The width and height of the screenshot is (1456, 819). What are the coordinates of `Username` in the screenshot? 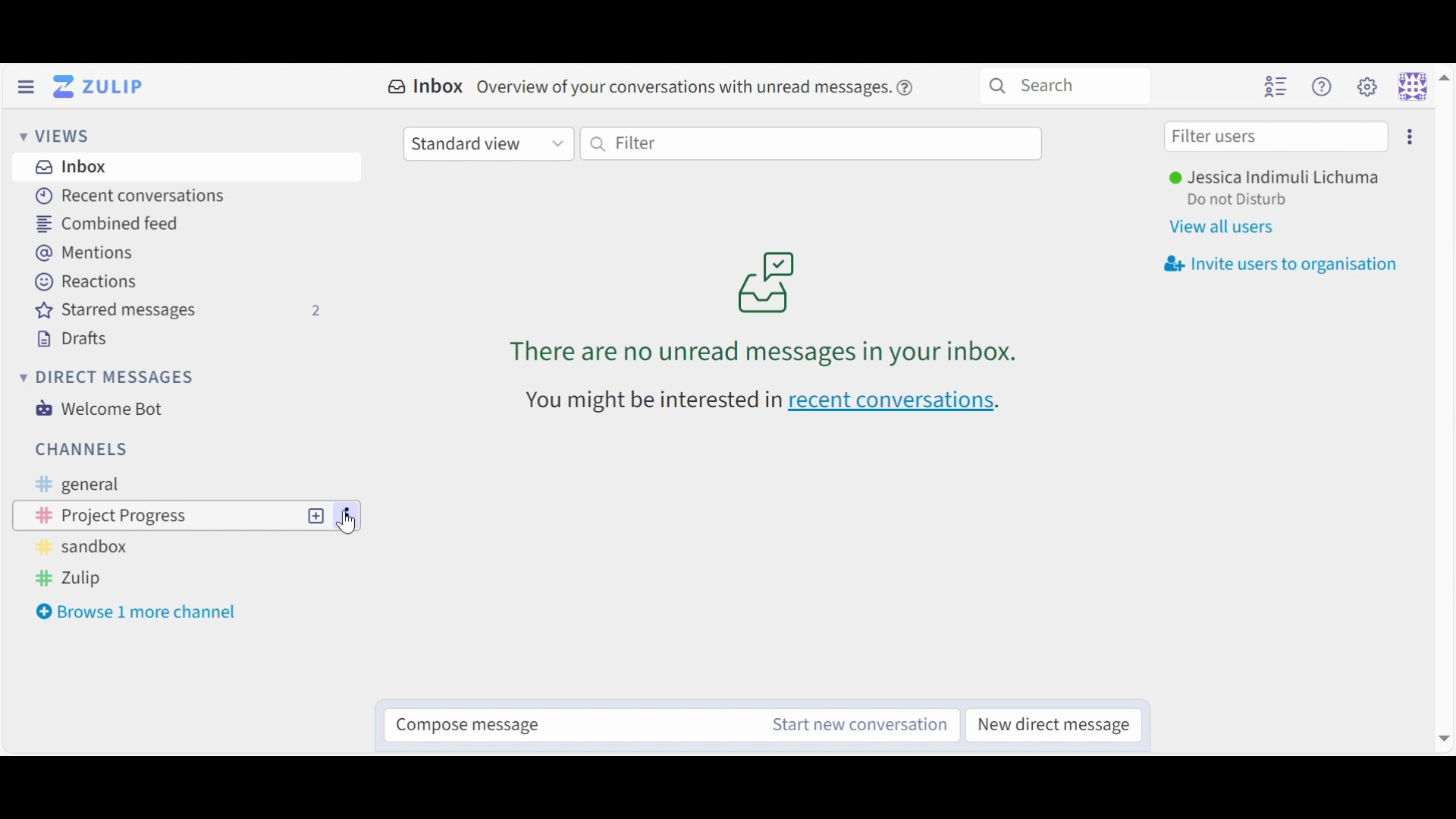 It's located at (1277, 179).